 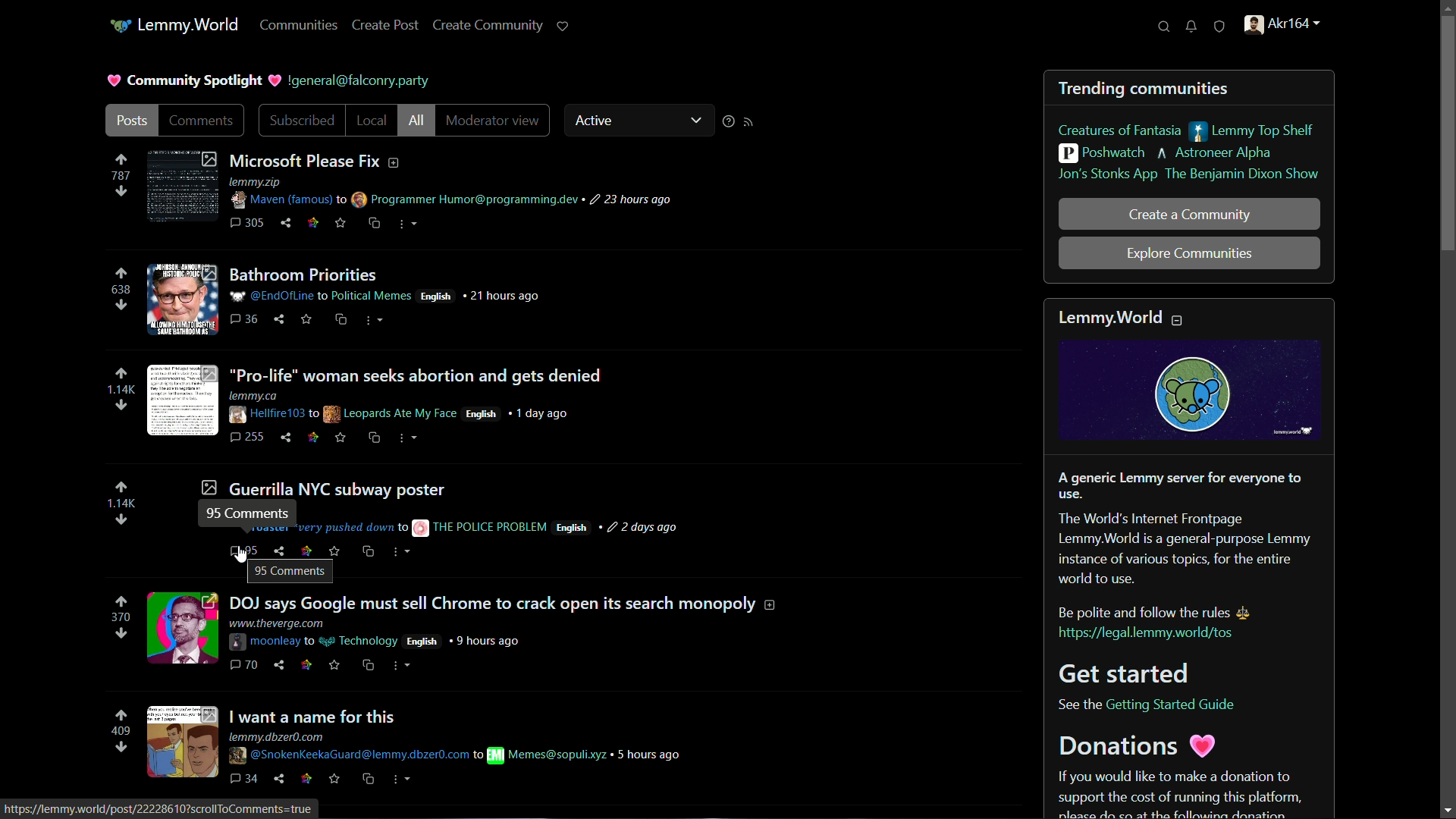 What do you see at coordinates (1447, 810) in the screenshot?
I see `scroll down` at bounding box center [1447, 810].